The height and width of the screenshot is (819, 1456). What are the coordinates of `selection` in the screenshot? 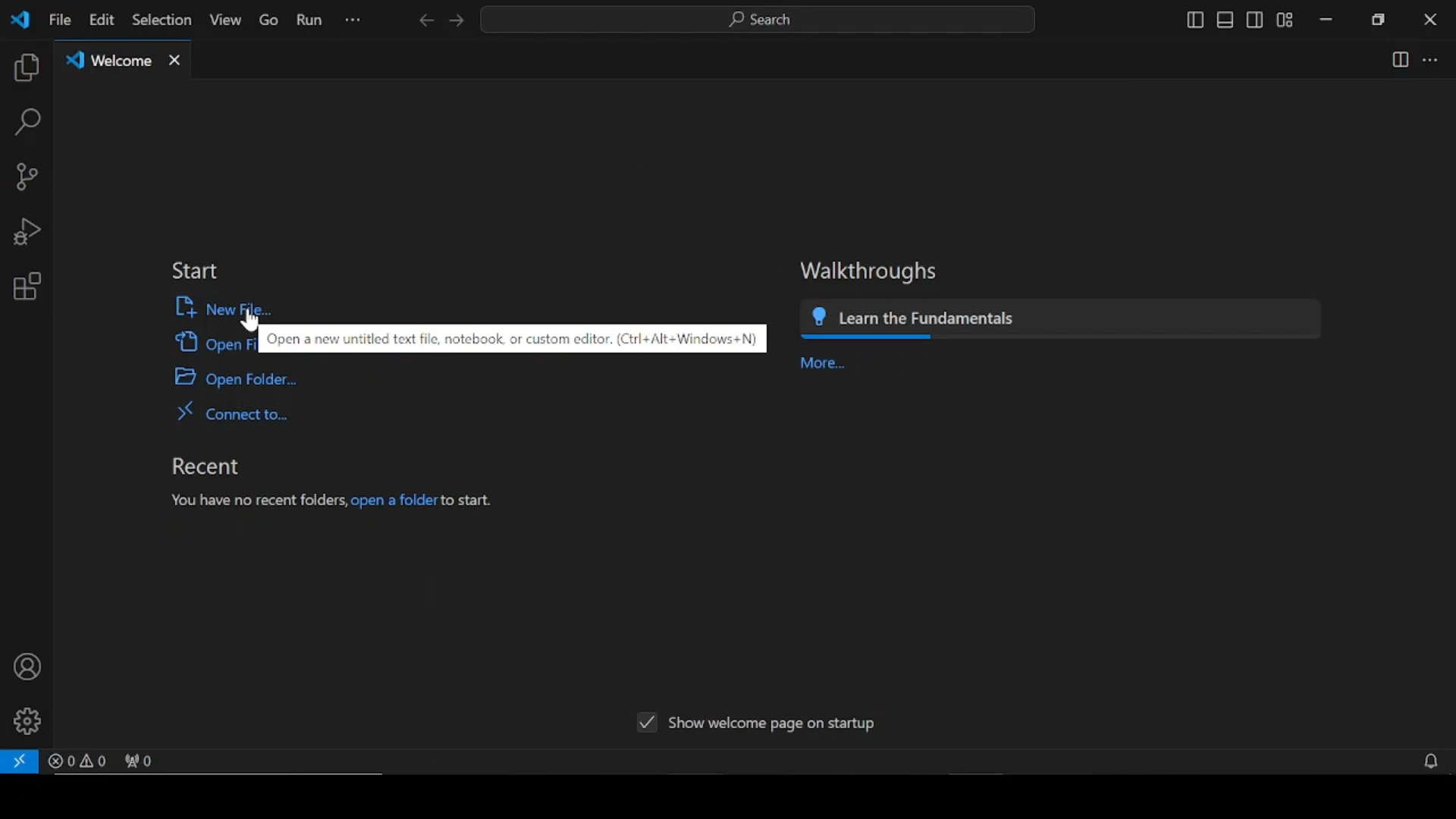 It's located at (161, 20).